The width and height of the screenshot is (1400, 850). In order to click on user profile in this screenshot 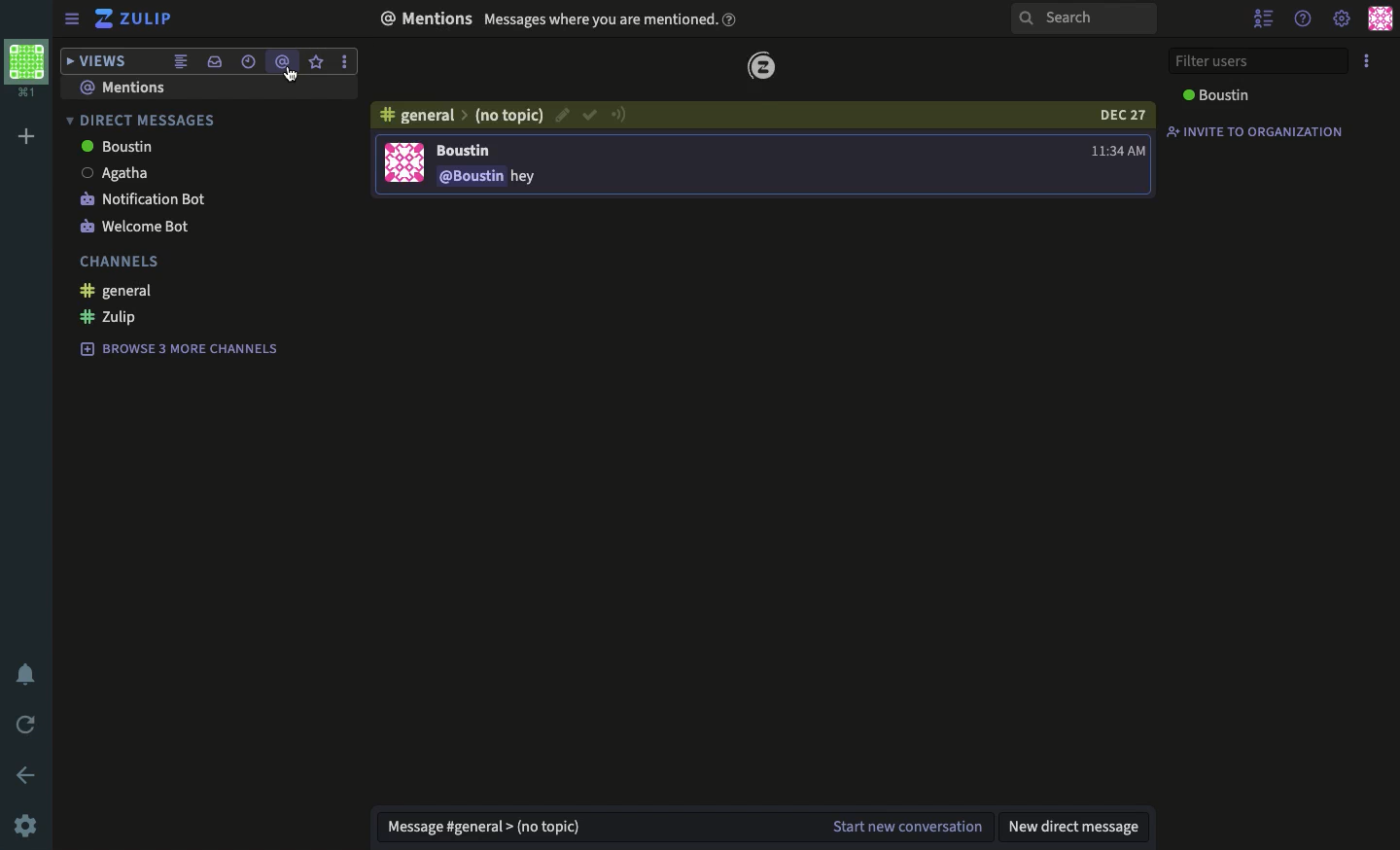, I will do `click(403, 162)`.